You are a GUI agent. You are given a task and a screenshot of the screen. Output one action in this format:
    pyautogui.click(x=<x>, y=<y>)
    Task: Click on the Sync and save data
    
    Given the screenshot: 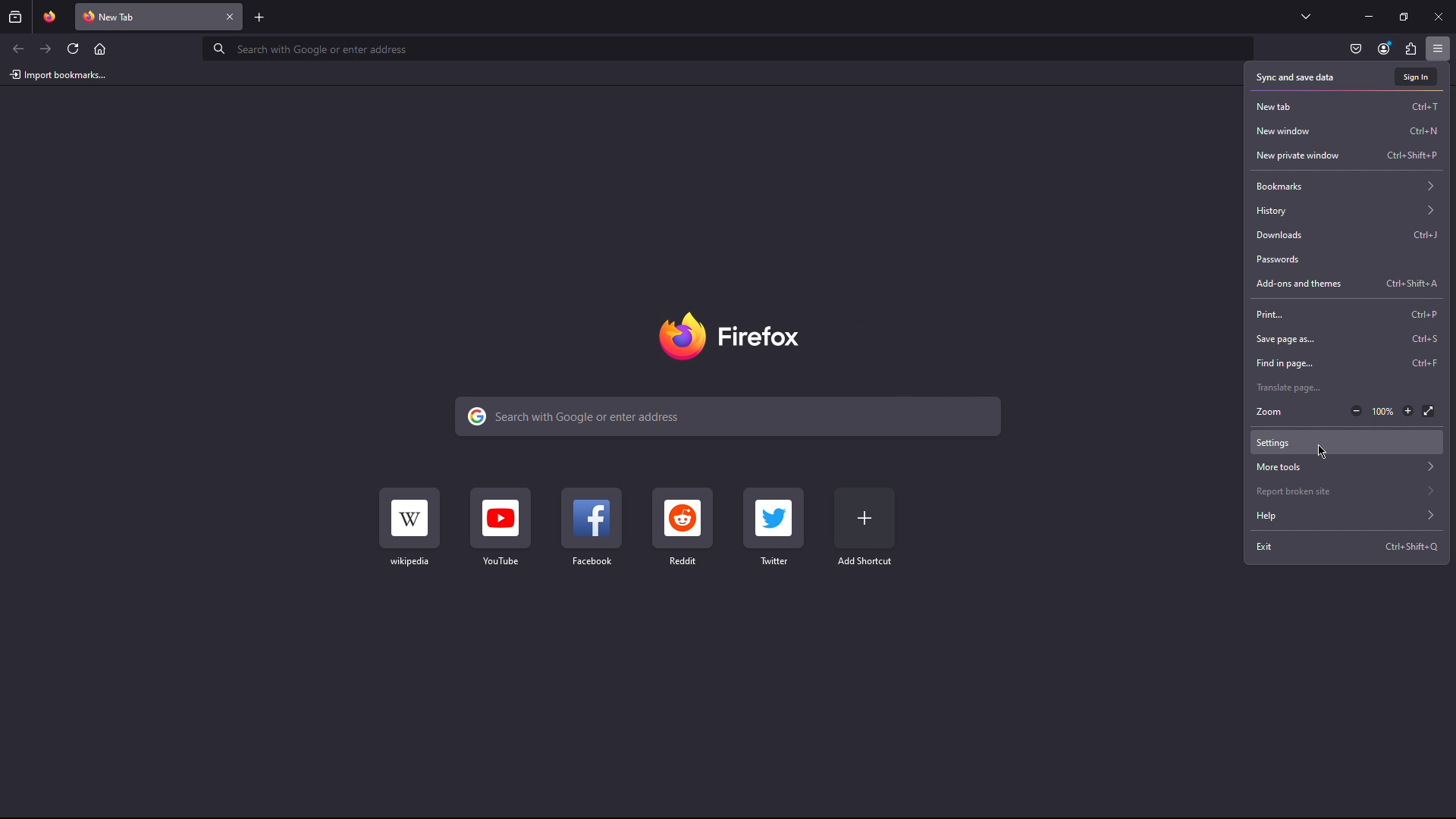 What is the action you would take?
    pyautogui.click(x=1346, y=76)
    